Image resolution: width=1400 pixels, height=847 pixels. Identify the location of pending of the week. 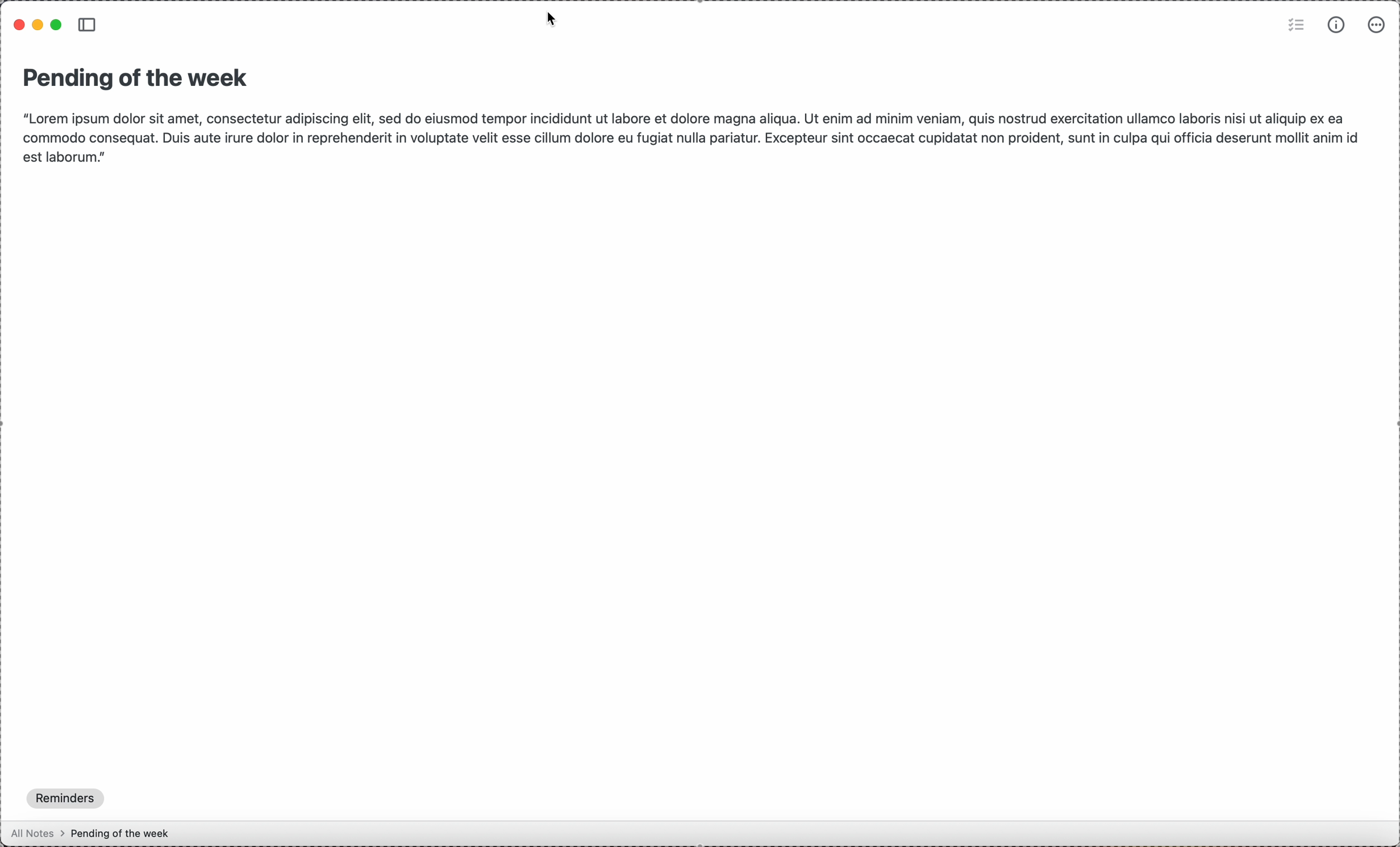
(137, 78).